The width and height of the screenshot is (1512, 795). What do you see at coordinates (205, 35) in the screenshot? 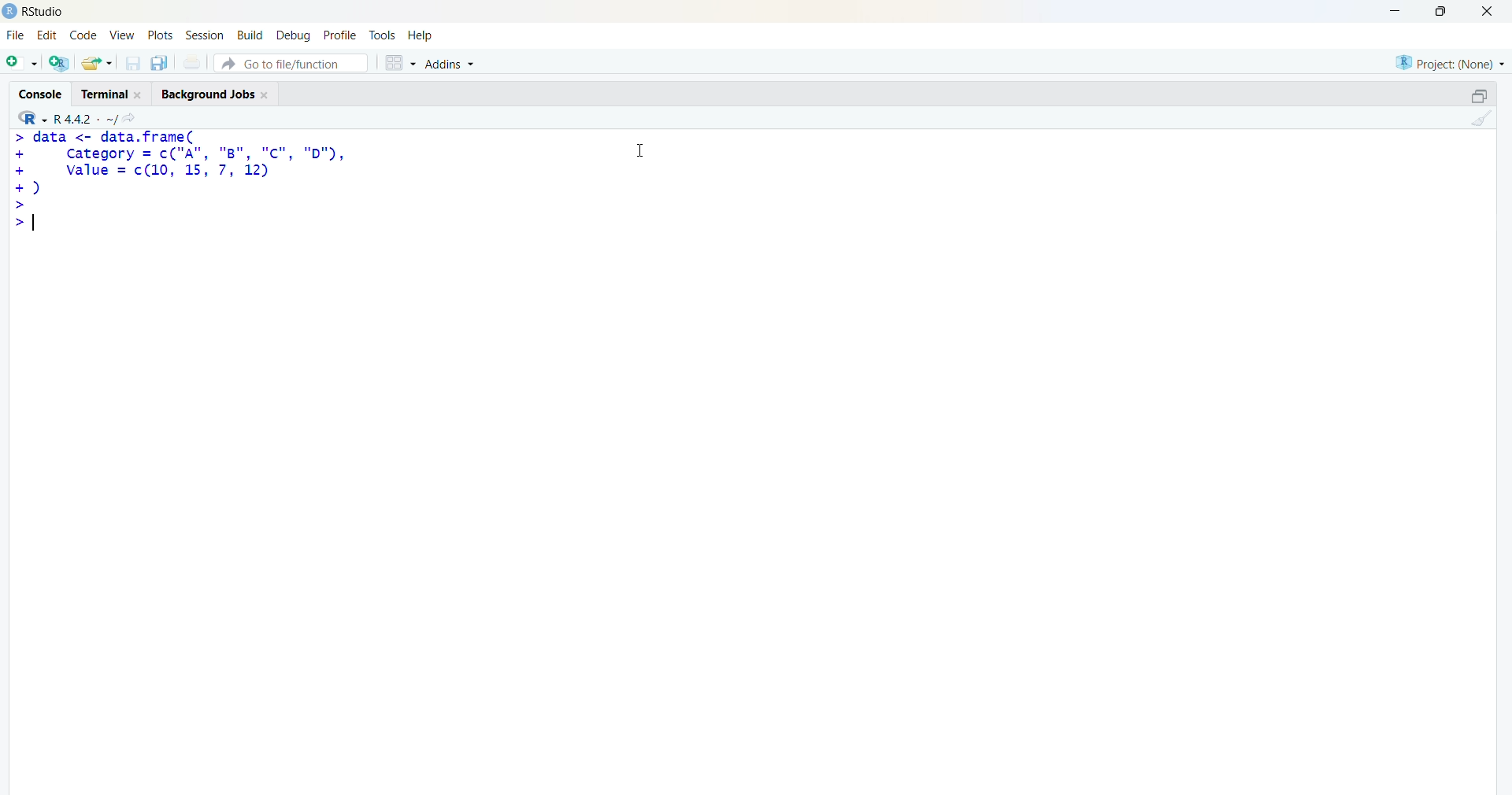
I see `Session` at bounding box center [205, 35].